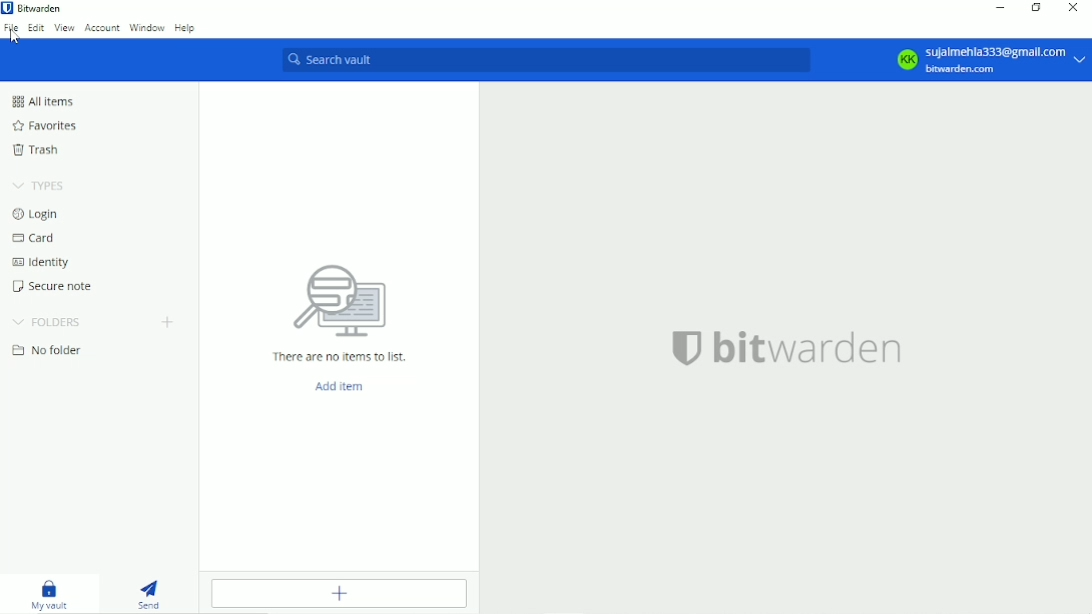 The image size is (1092, 614). Describe the element at coordinates (788, 350) in the screenshot. I see `bitwarden` at that location.